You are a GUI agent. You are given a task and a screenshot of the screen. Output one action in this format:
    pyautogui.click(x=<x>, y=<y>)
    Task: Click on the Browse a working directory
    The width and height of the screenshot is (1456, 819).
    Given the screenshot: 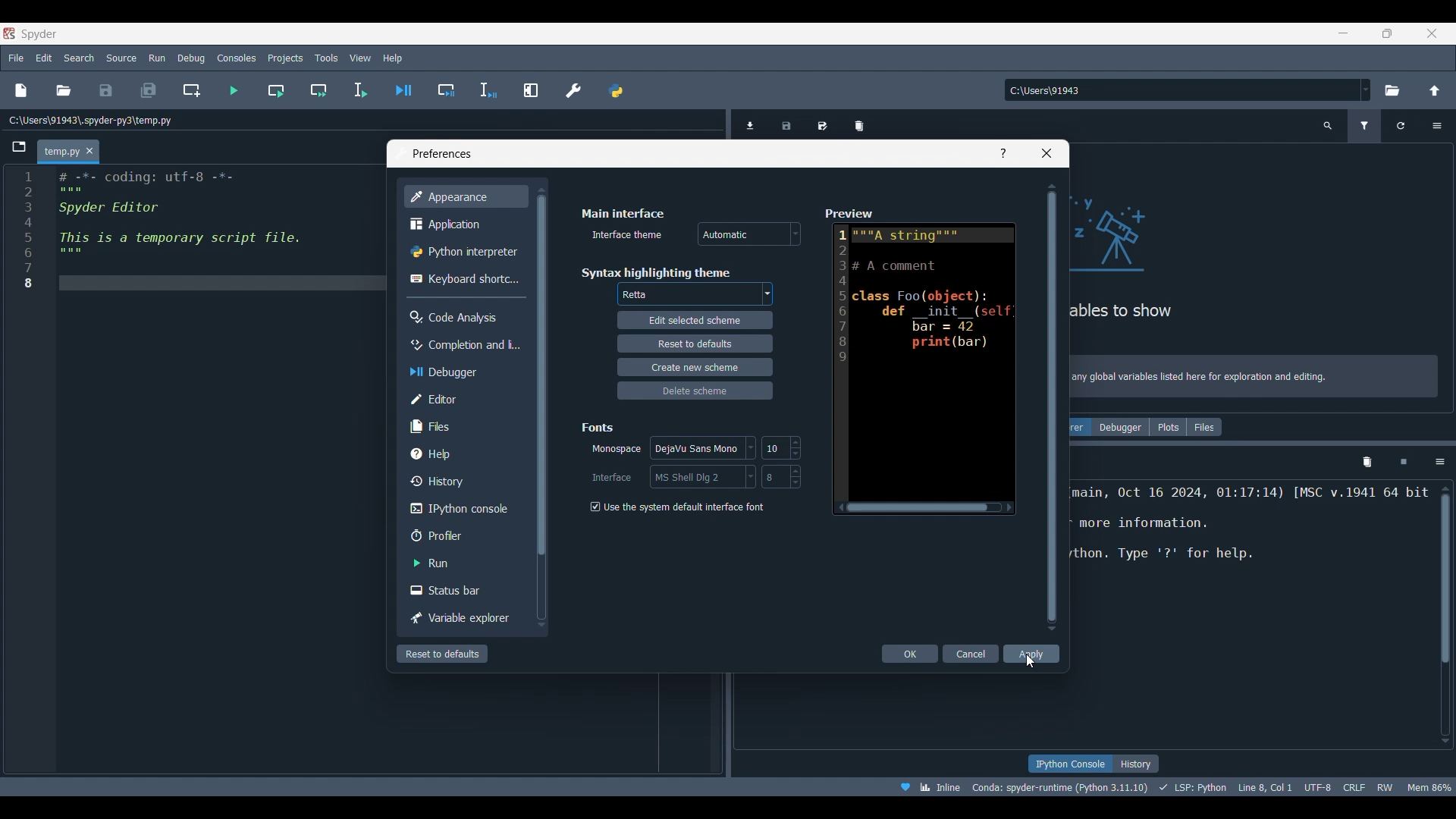 What is the action you would take?
    pyautogui.click(x=1391, y=90)
    